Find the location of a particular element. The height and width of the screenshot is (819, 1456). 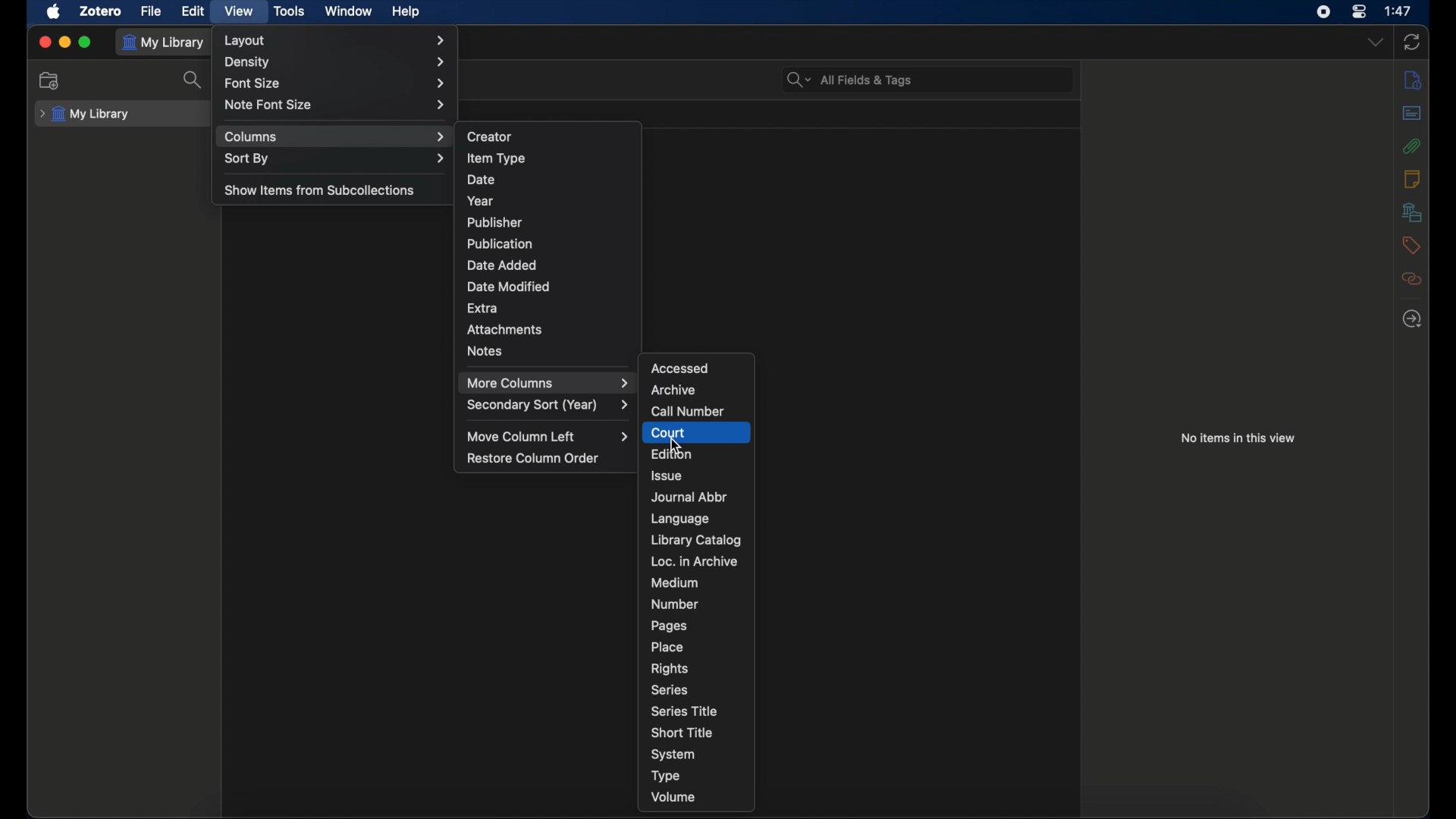

system is located at coordinates (673, 755).